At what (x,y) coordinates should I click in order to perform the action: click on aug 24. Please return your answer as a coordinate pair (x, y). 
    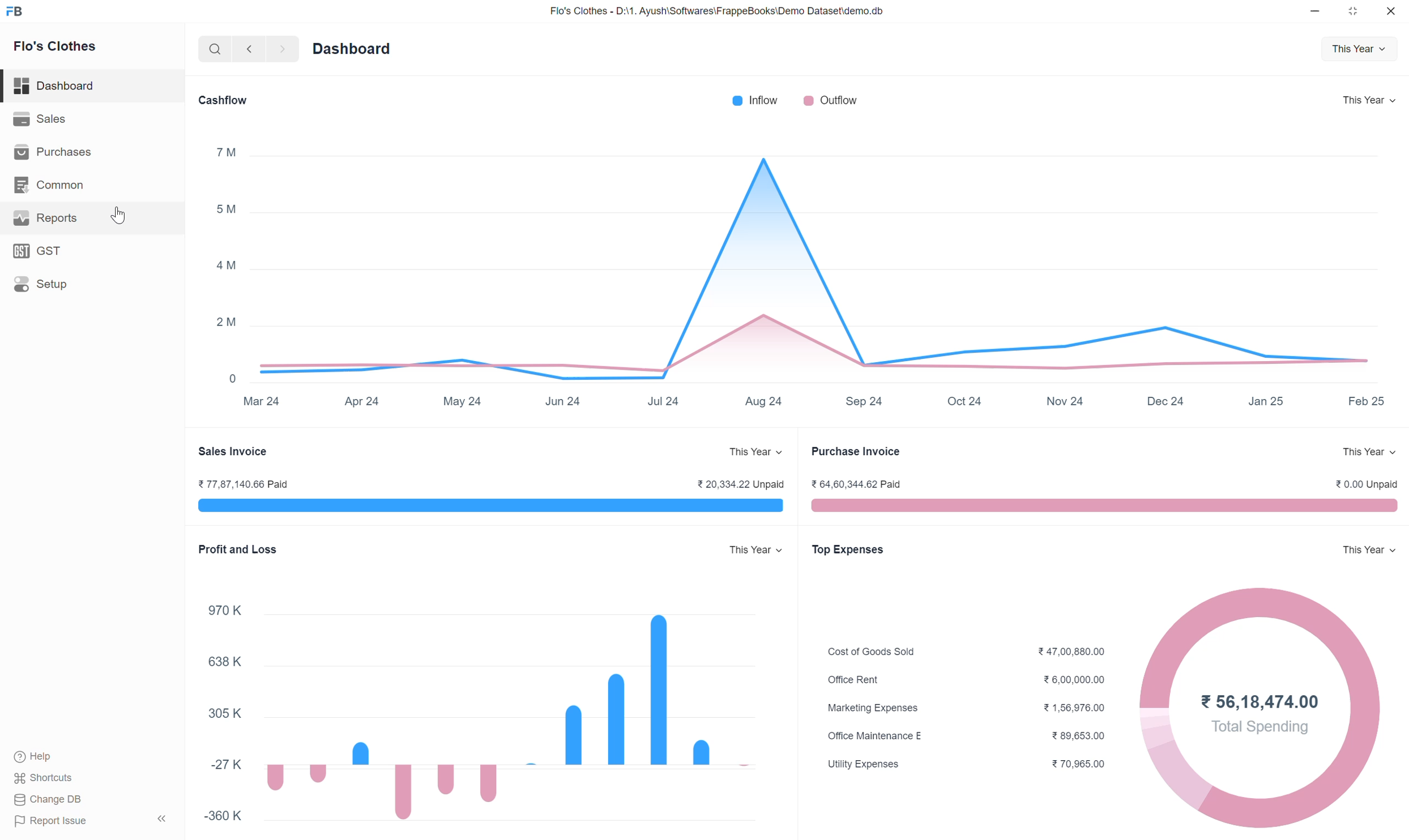
    Looking at the image, I should click on (763, 400).